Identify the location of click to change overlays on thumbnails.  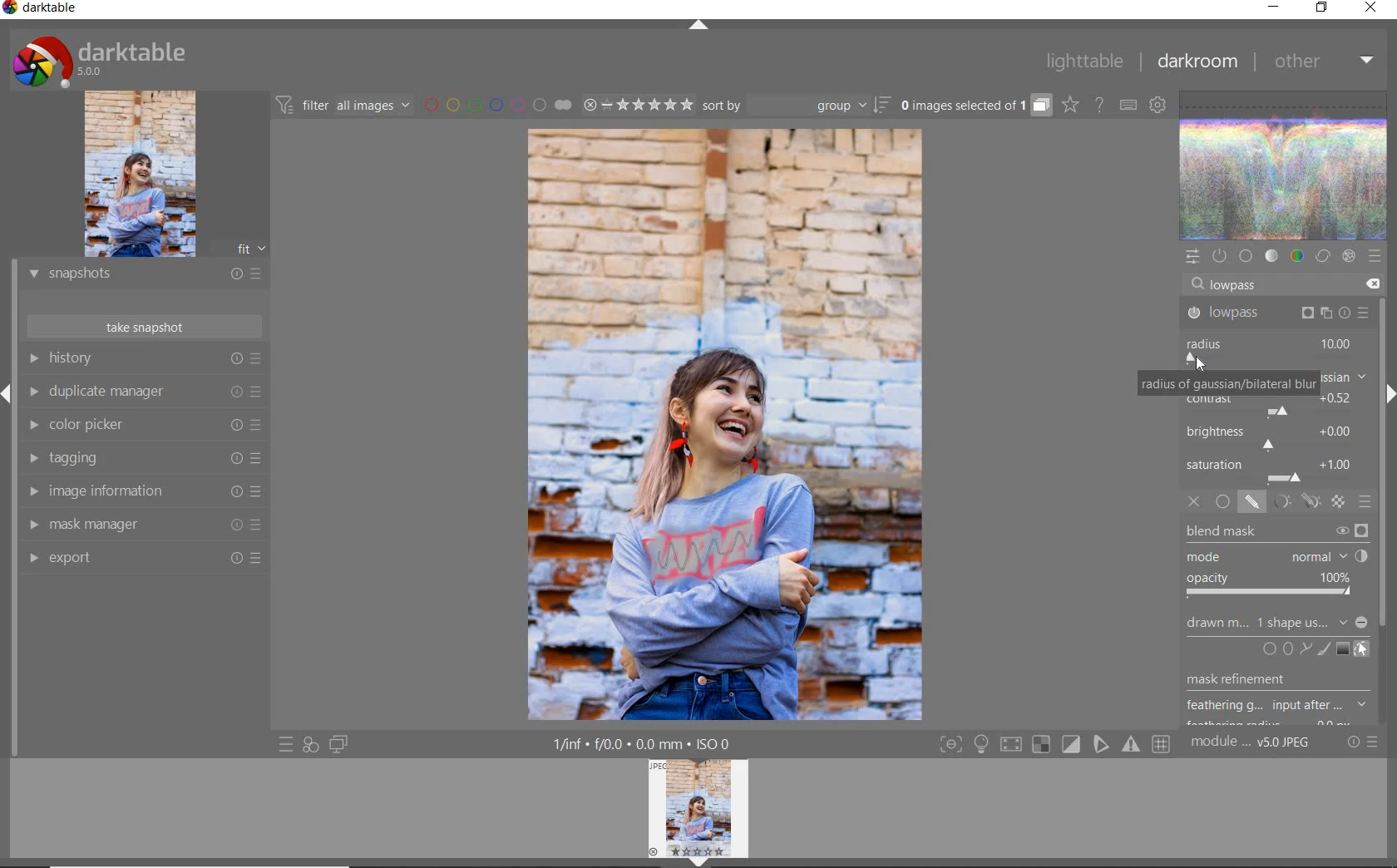
(1069, 104).